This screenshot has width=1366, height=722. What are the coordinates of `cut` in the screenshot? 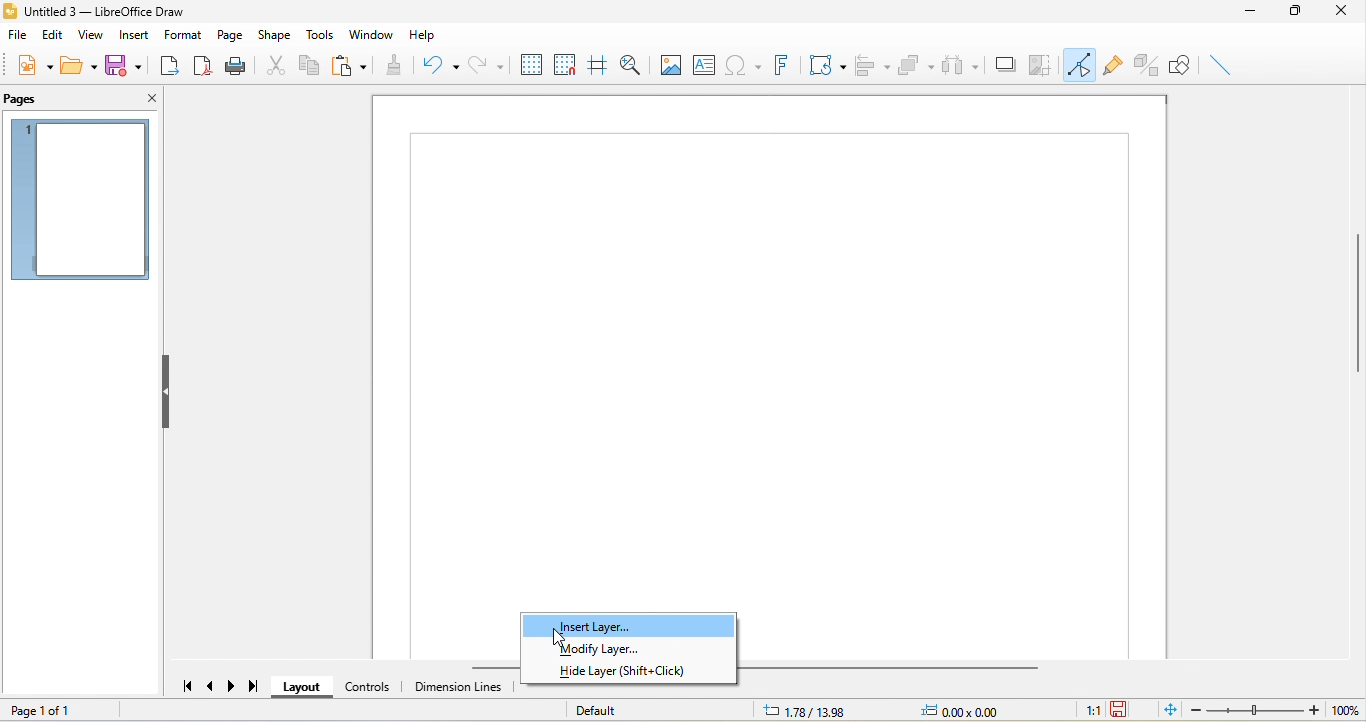 It's located at (276, 65).